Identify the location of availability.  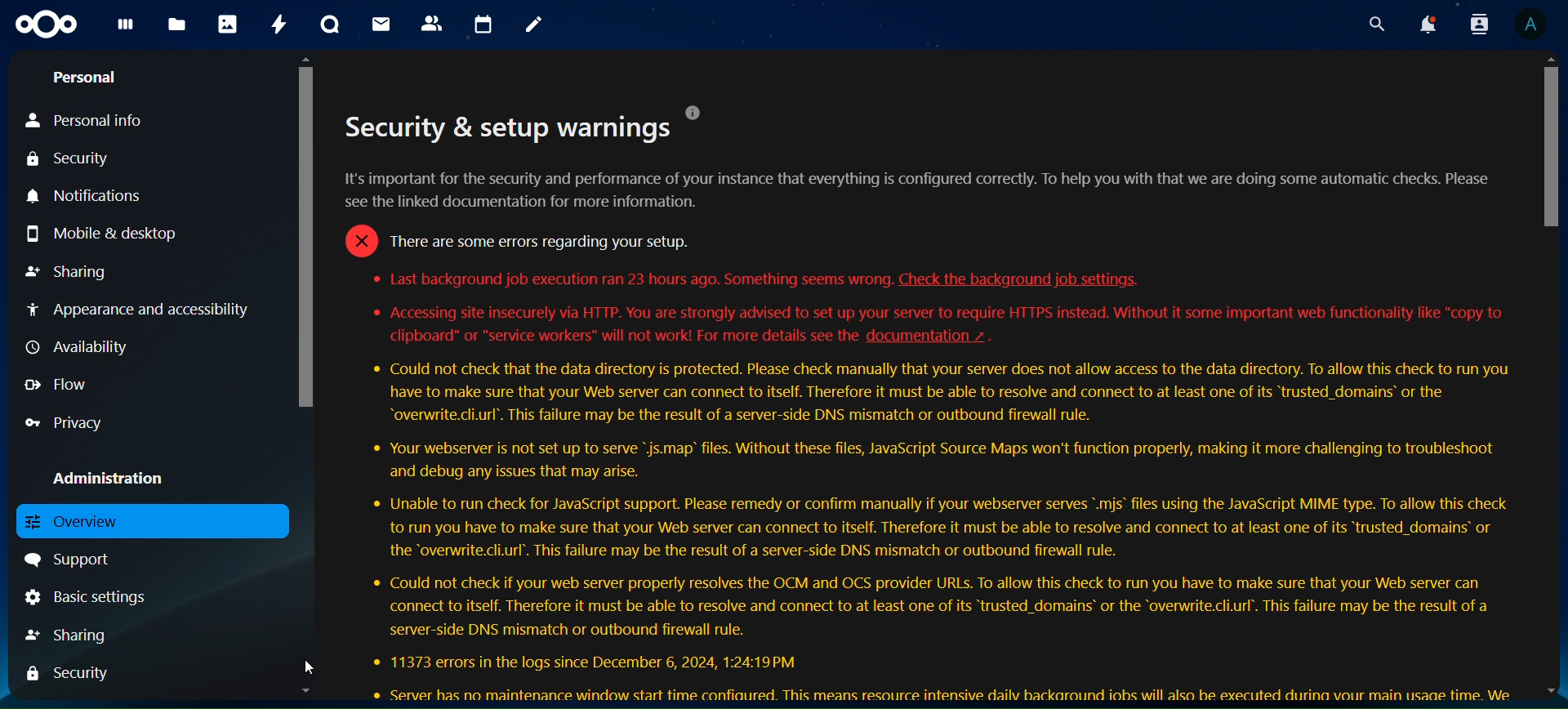
(77, 346).